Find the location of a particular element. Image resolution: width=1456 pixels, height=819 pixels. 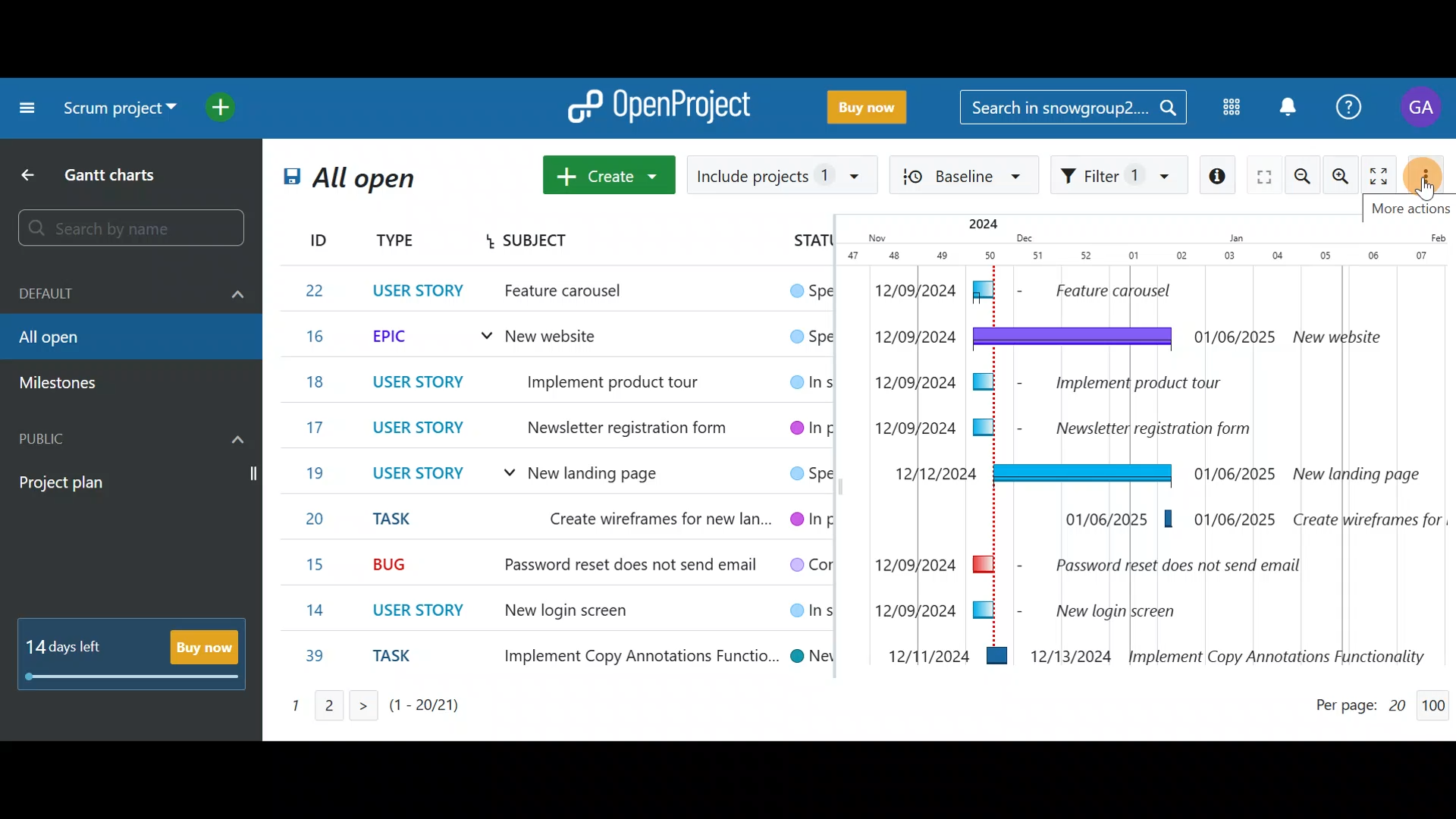

All open is located at coordinates (118, 339).